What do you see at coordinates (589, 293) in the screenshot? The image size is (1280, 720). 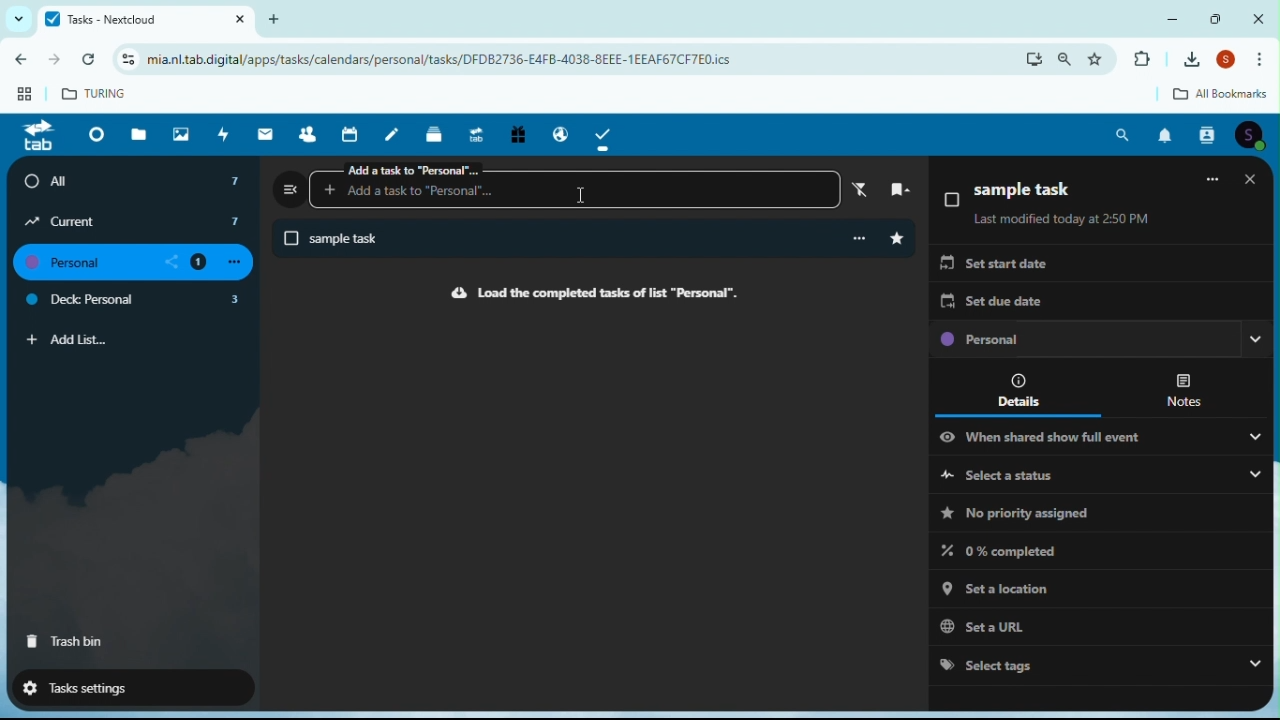 I see `load completed tasks` at bounding box center [589, 293].